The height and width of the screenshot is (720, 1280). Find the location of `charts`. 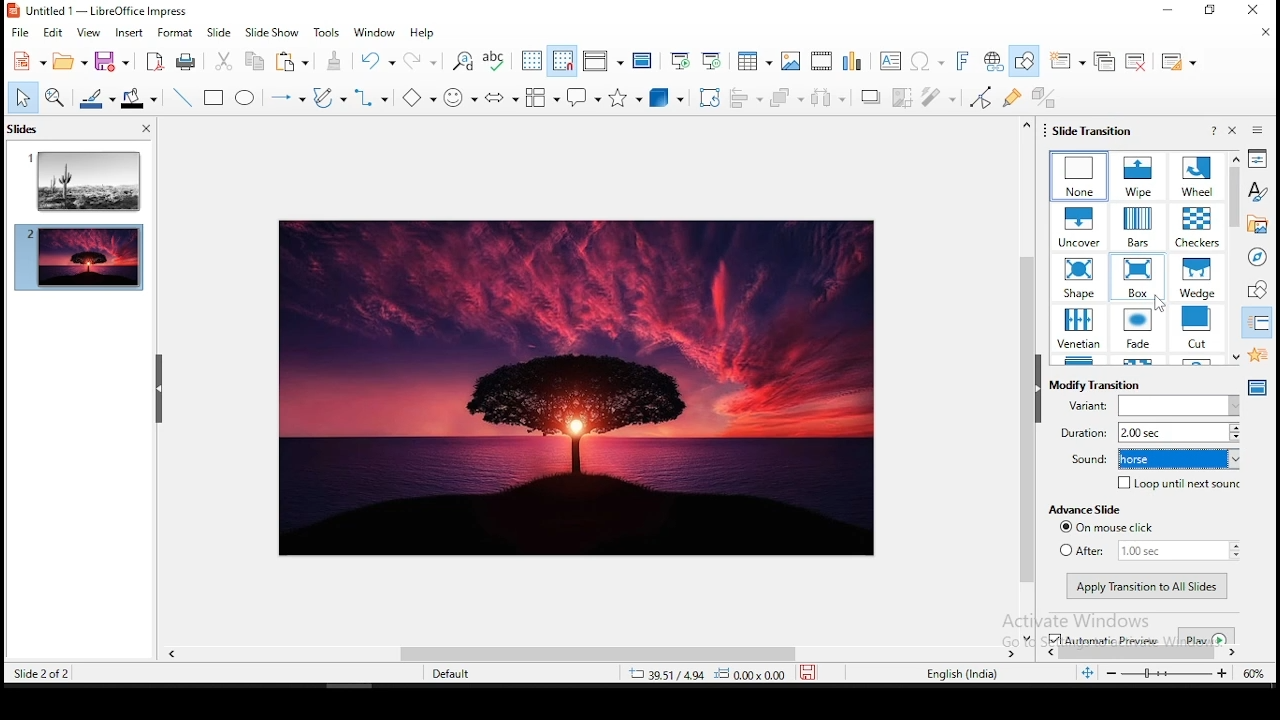

charts is located at coordinates (852, 62).